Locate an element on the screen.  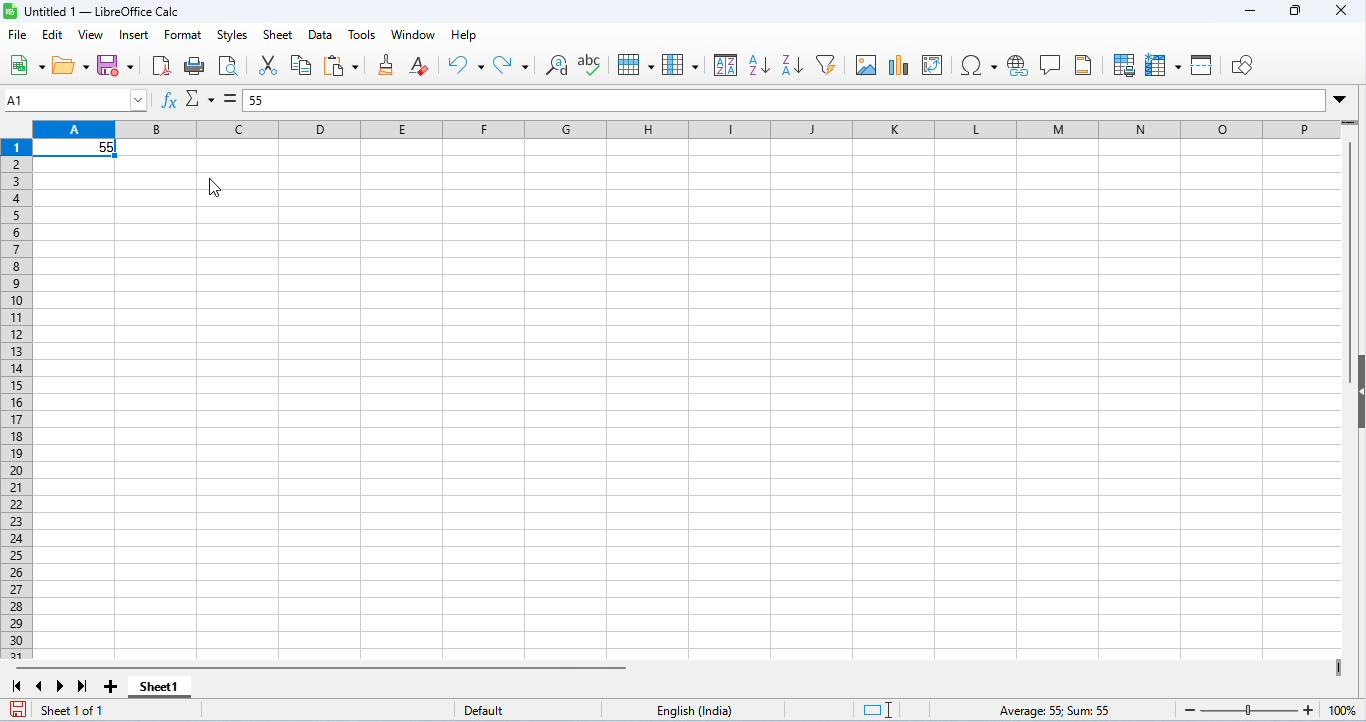
insert special characters is located at coordinates (978, 65).